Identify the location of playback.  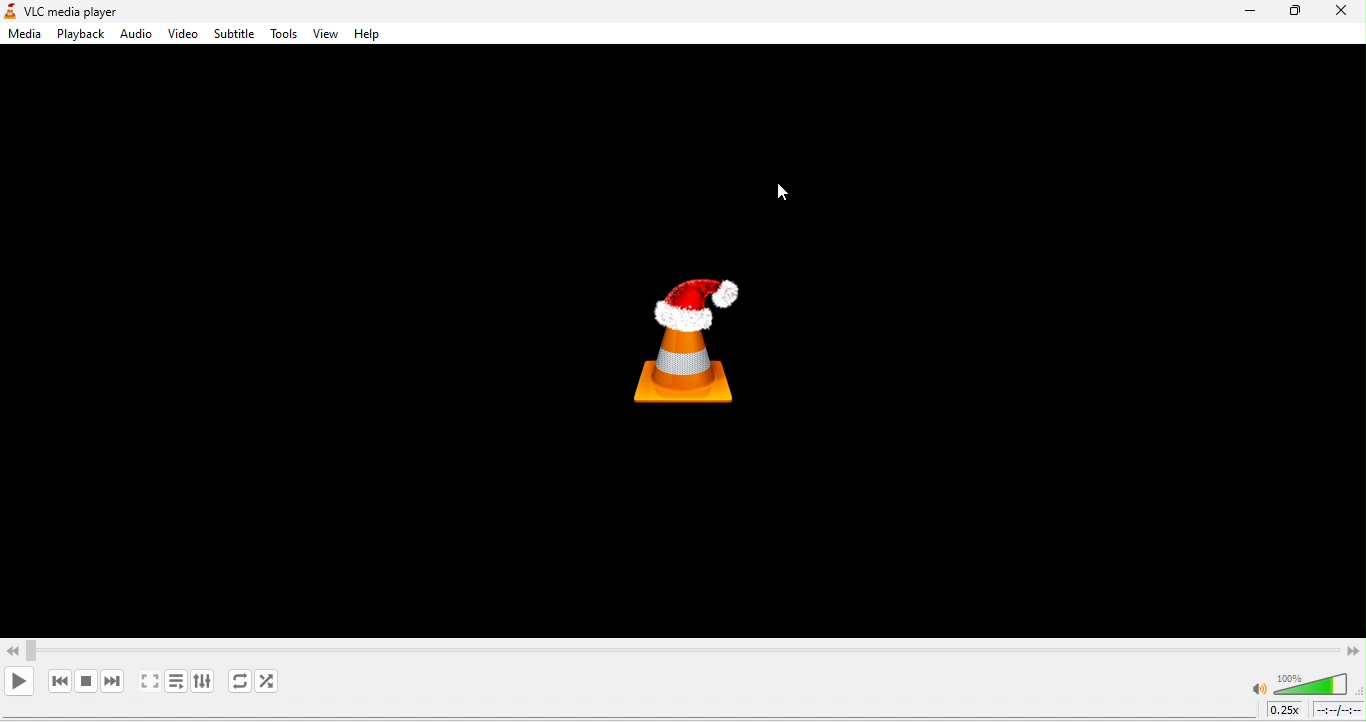
(77, 34).